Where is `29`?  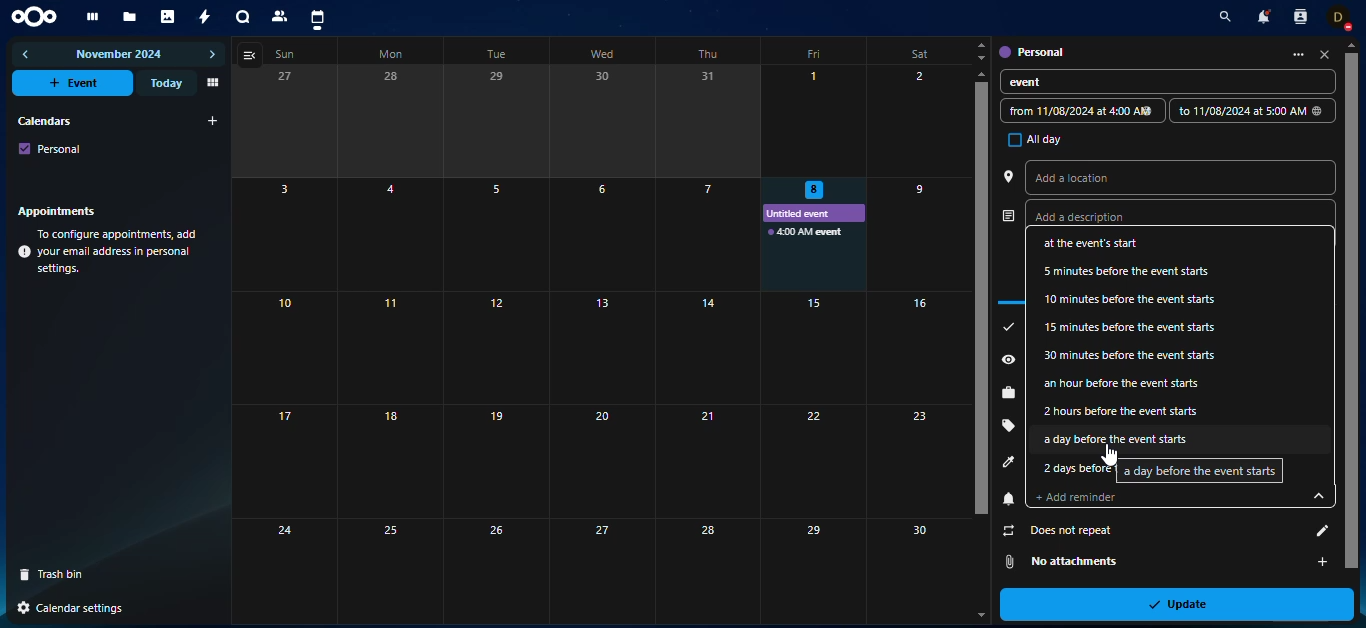 29 is located at coordinates (498, 121).